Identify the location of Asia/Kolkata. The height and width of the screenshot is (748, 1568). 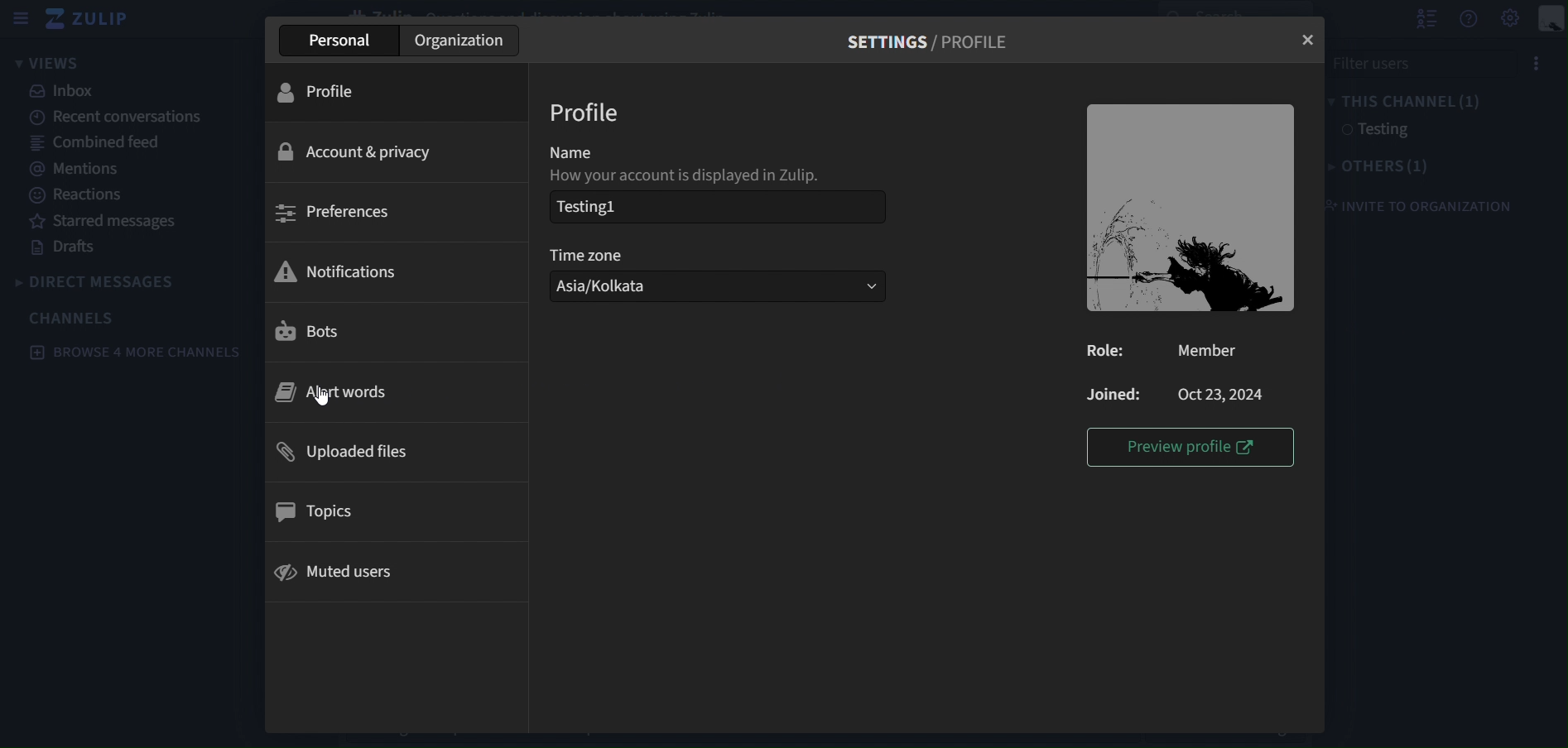
(719, 288).